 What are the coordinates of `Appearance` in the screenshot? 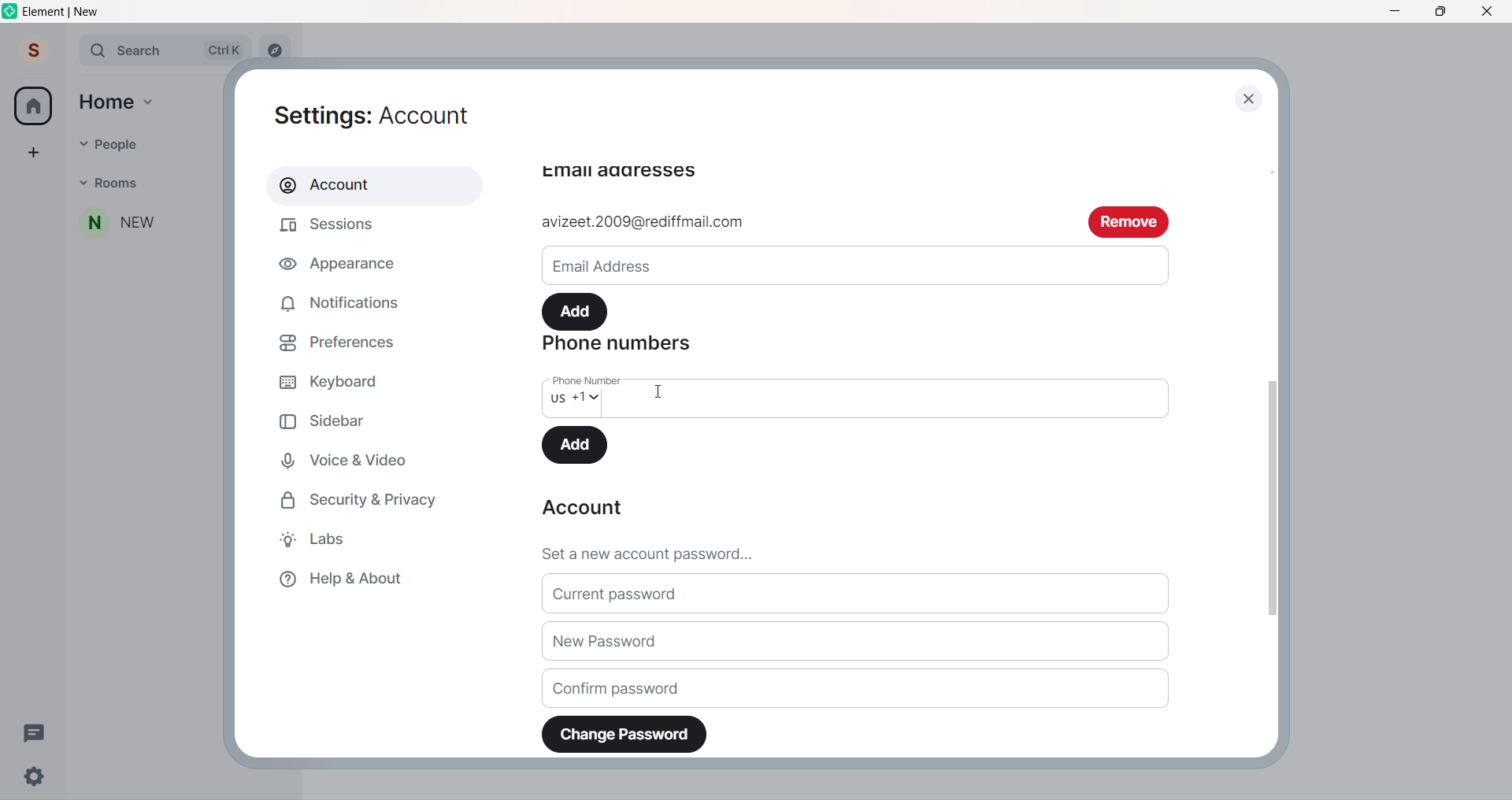 It's located at (342, 267).